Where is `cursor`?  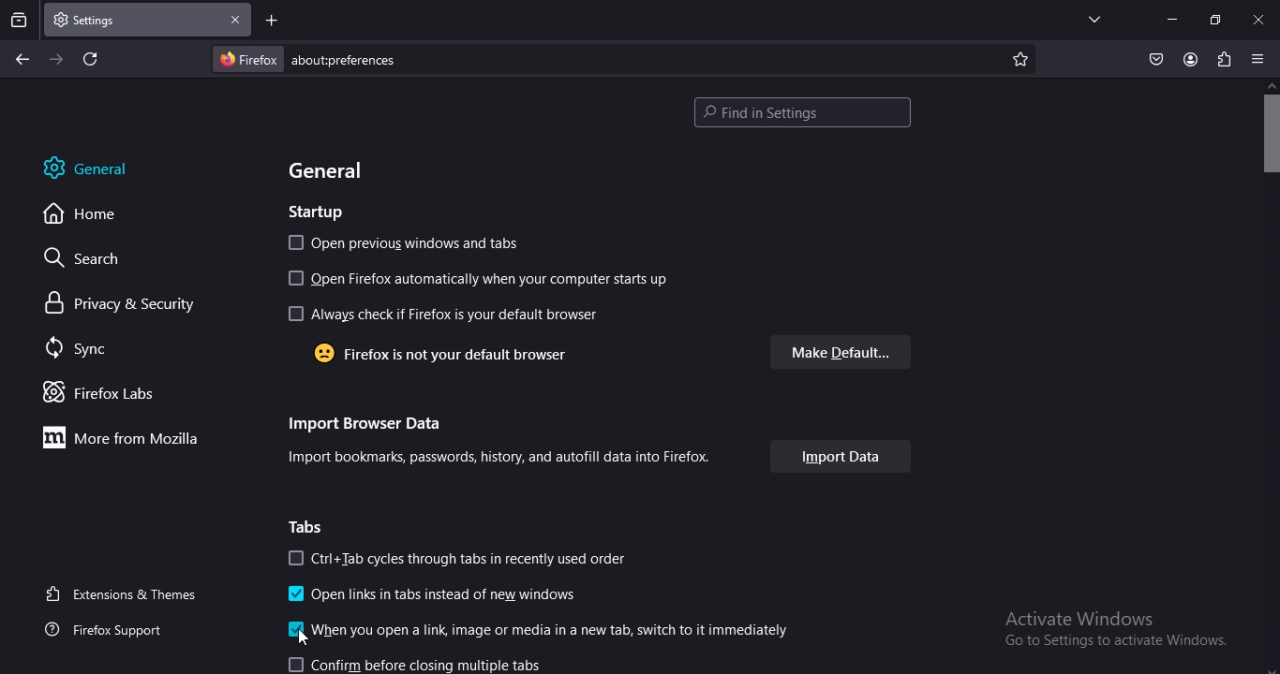
cursor is located at coordinates (301, 640).